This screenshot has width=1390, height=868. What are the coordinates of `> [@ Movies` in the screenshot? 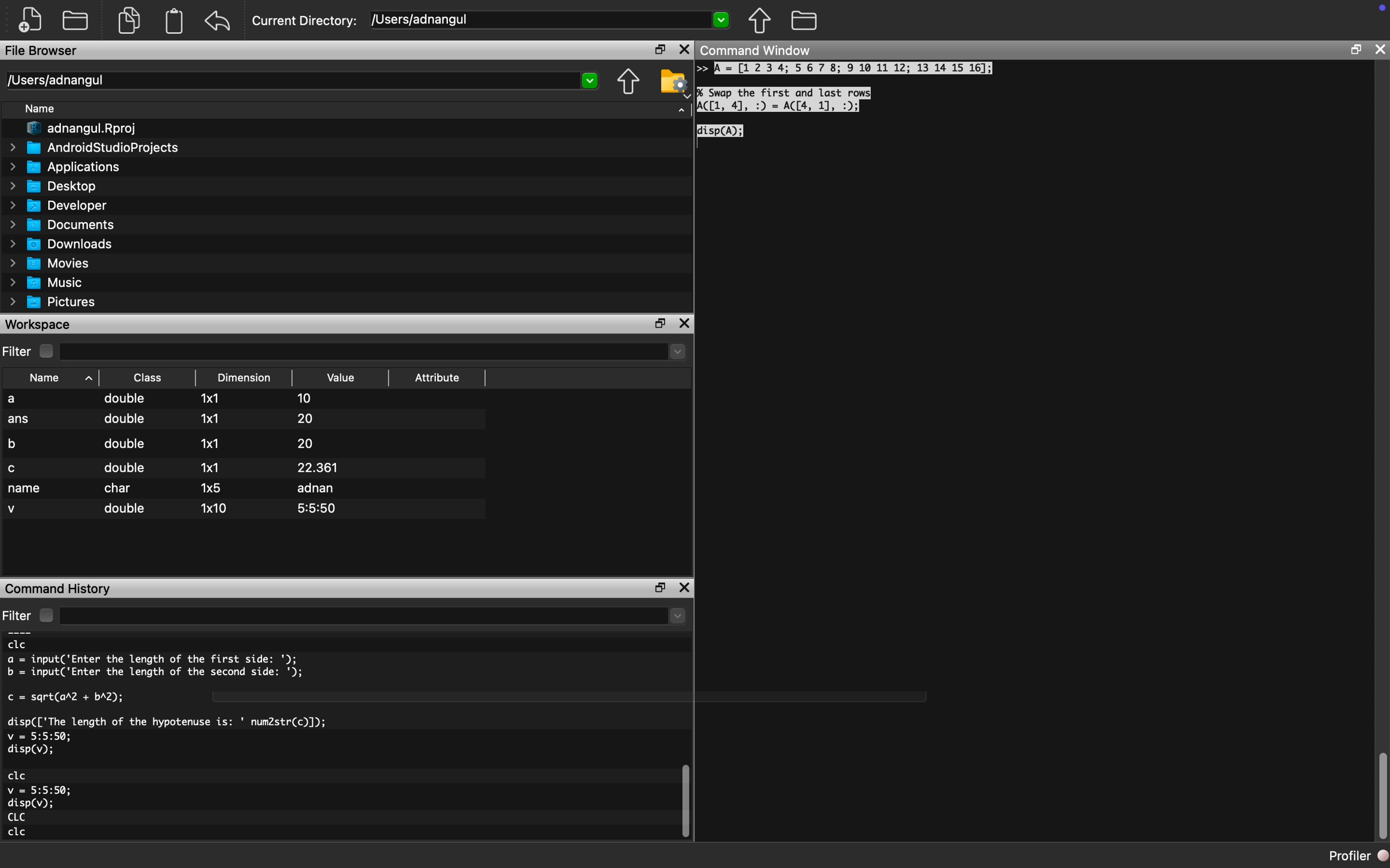 It's located at (50, 264).